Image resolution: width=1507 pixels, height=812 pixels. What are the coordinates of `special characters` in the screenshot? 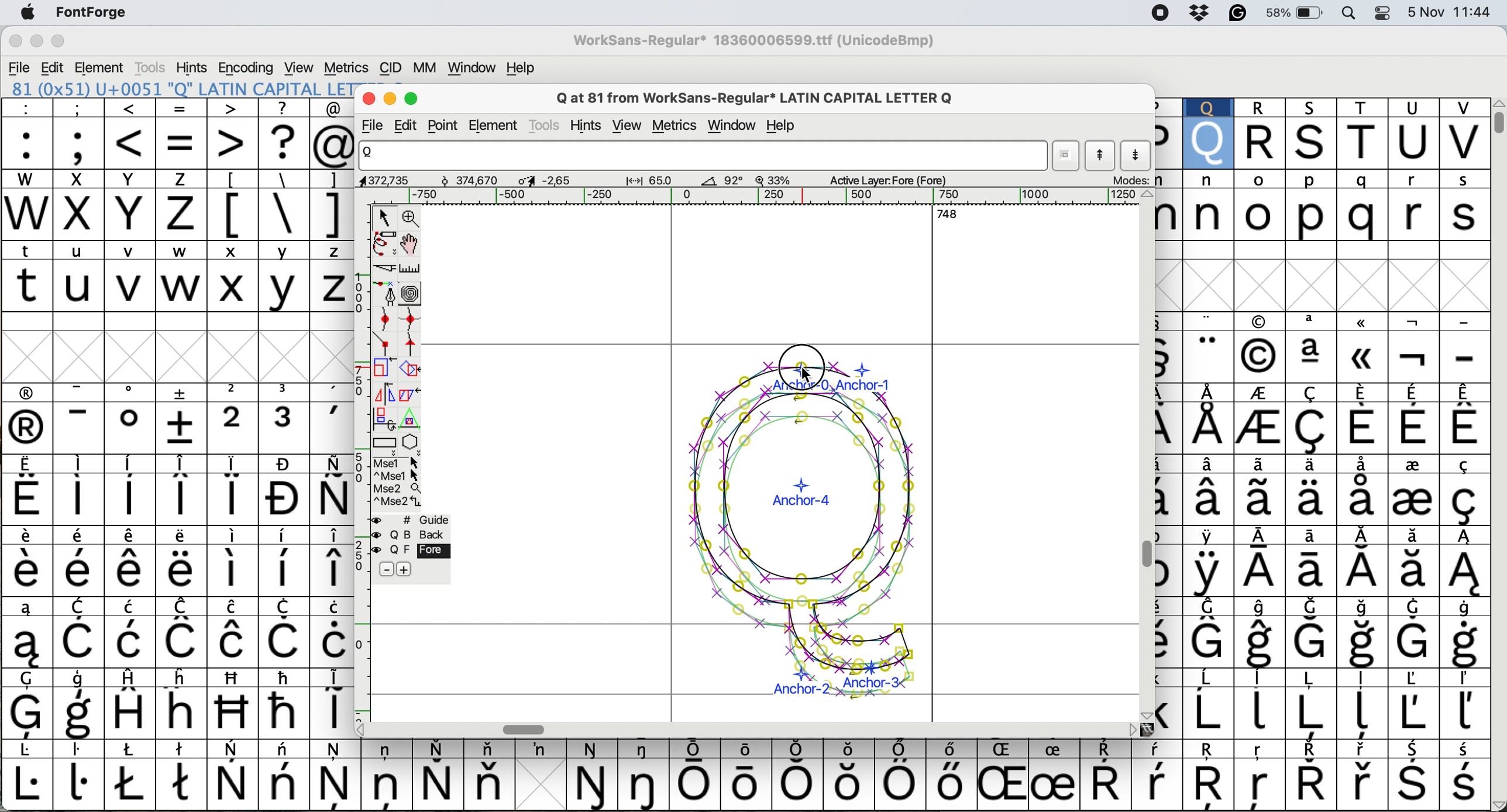 It's located at (1323, 524).